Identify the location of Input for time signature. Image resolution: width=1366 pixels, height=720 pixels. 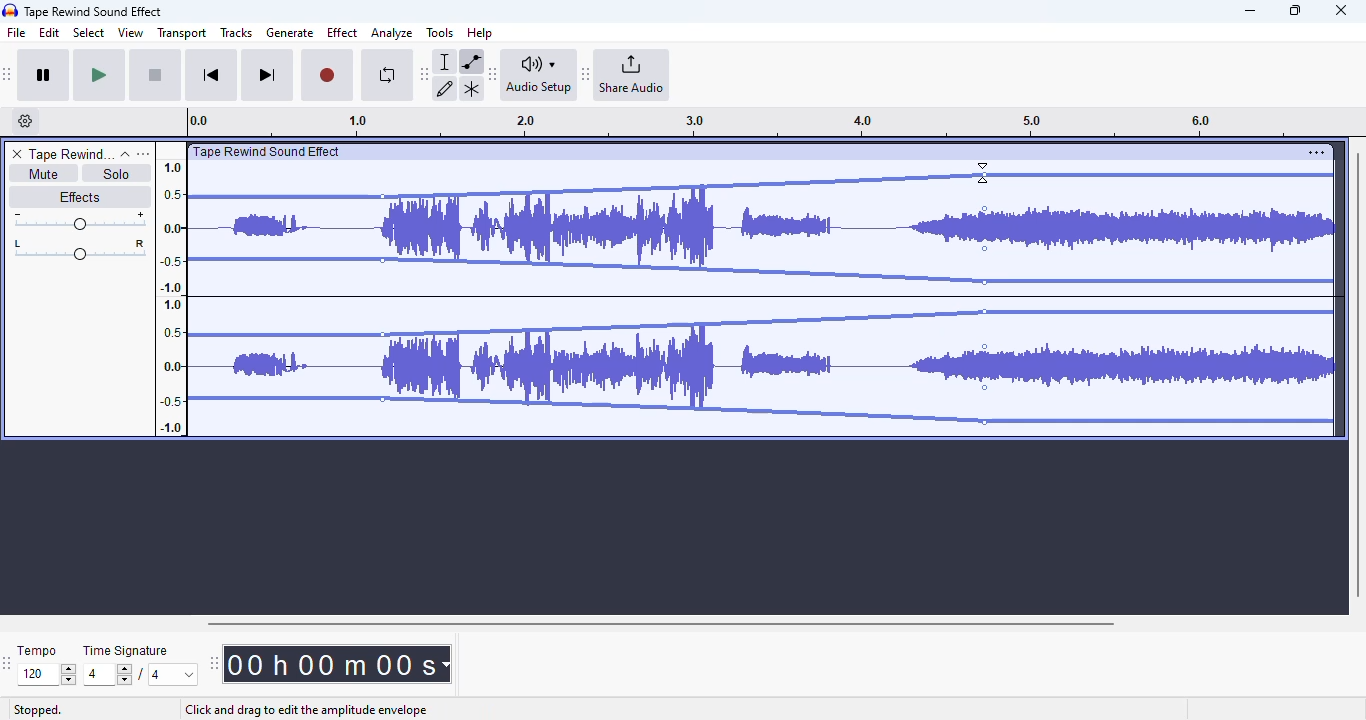
(108, 675).